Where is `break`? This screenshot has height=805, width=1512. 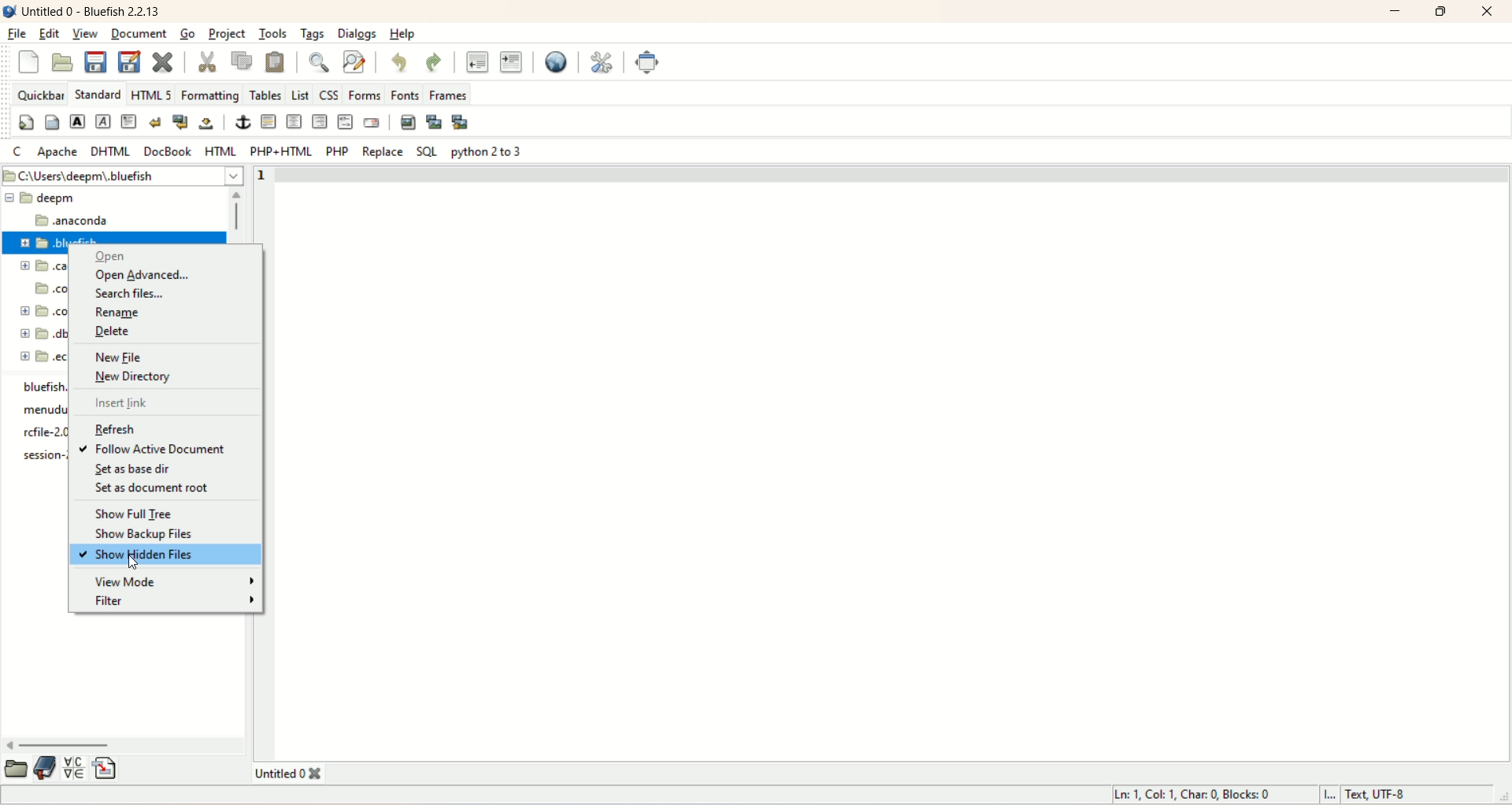 break is located at coordinates (157, 121).